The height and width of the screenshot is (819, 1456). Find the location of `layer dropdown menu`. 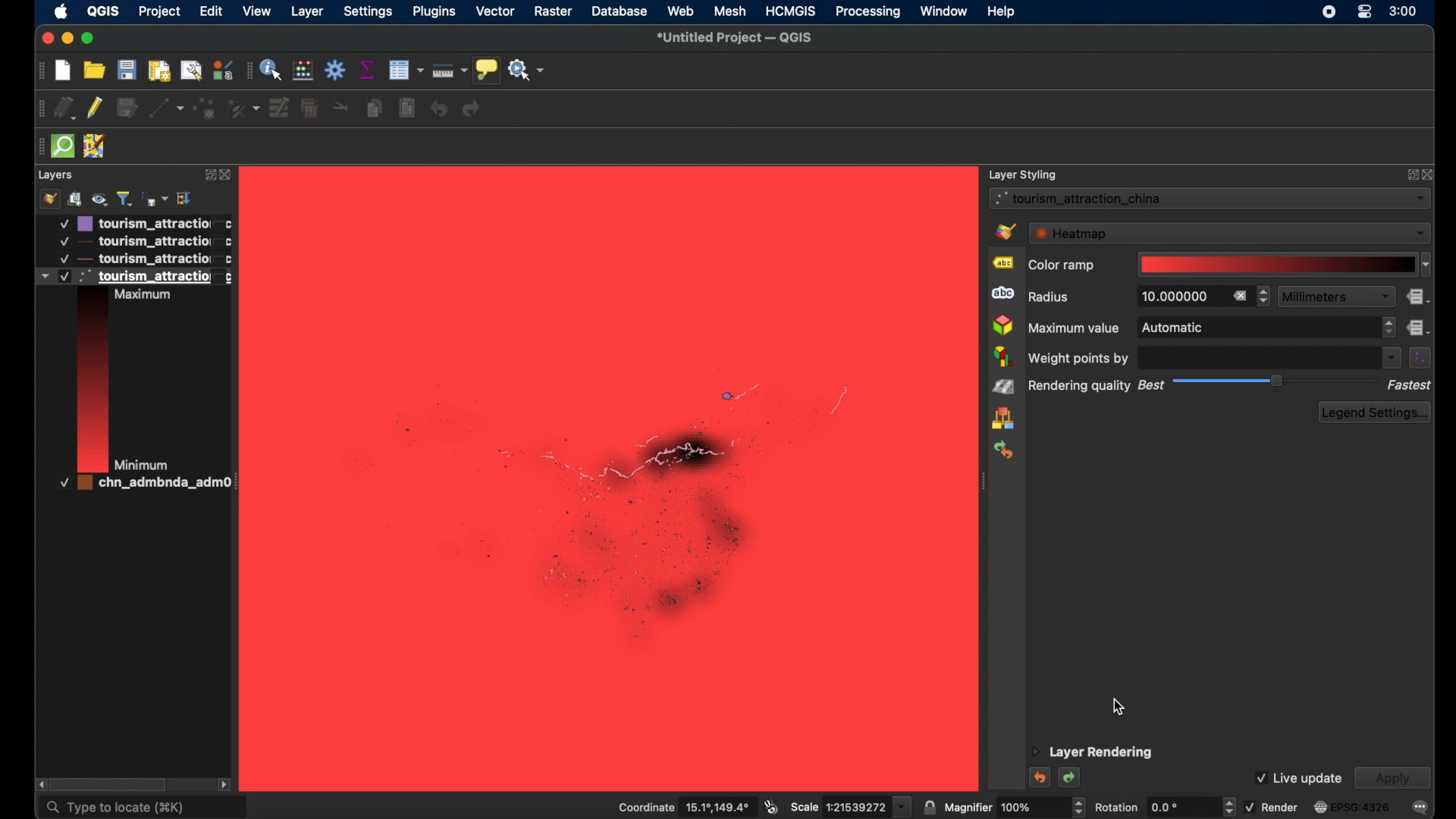

layer dropdown menu is located at coordinates (1210, 198).